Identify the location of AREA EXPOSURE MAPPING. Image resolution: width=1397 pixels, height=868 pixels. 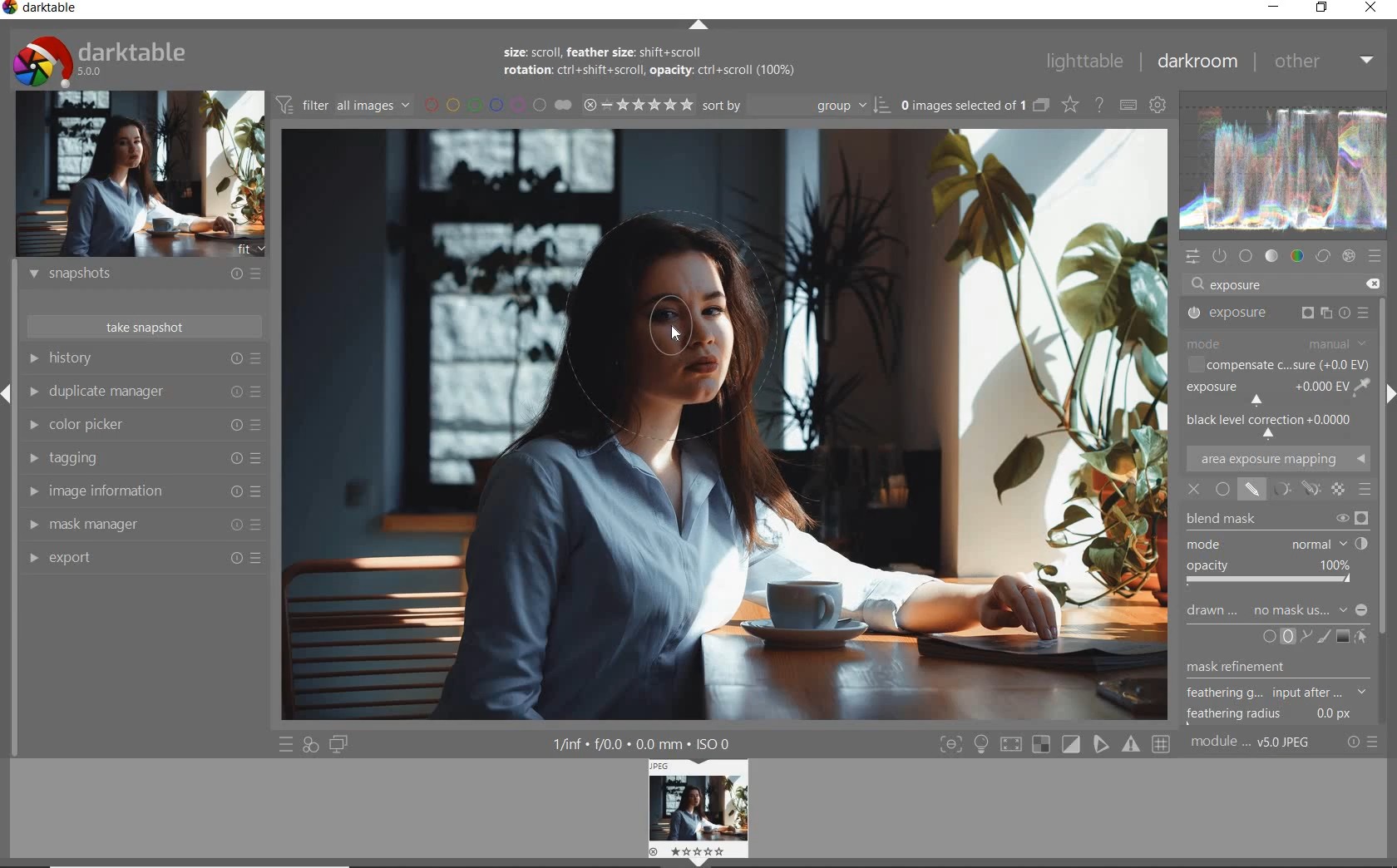
(1277, 457).